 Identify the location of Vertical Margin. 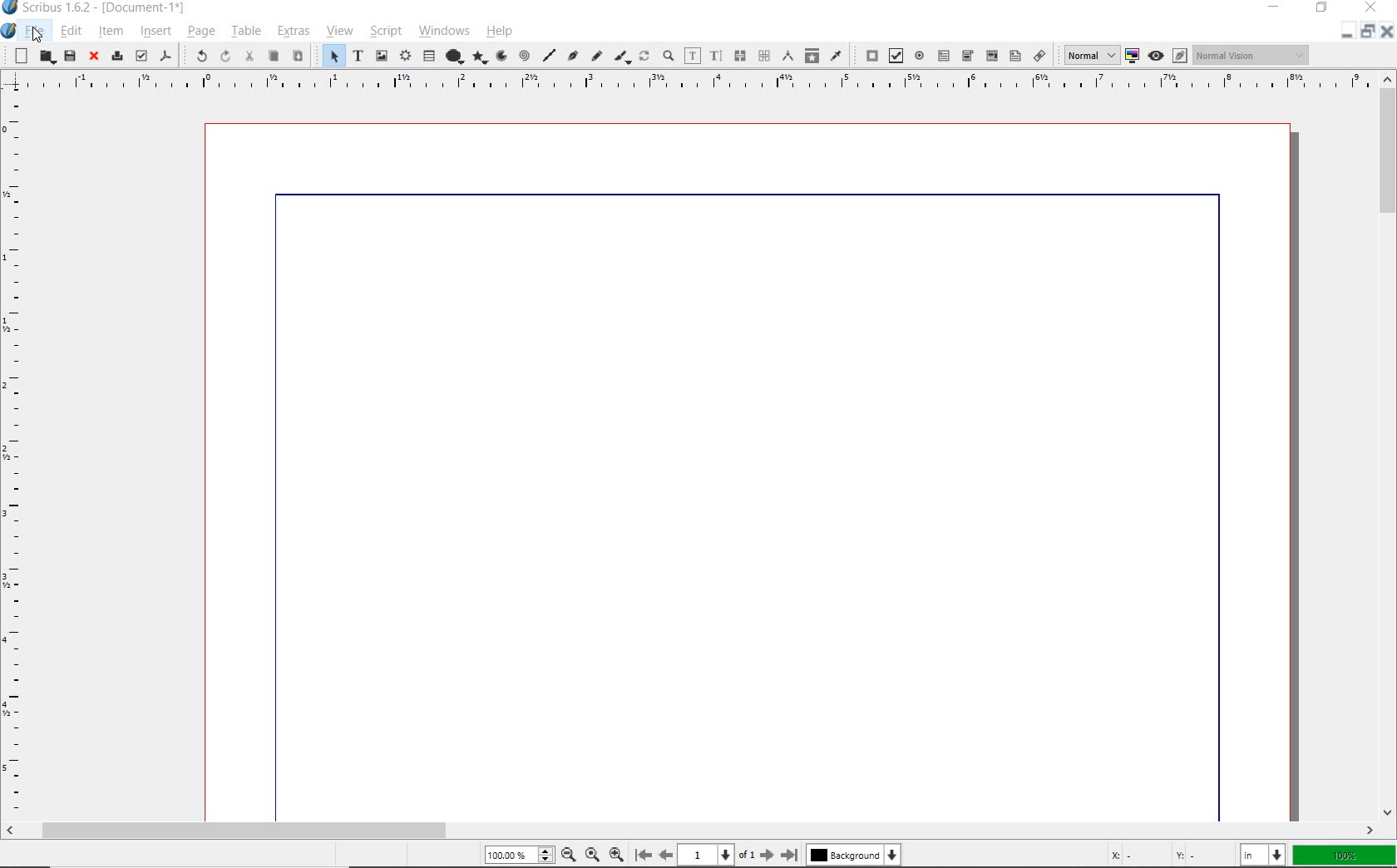
(14, 458).